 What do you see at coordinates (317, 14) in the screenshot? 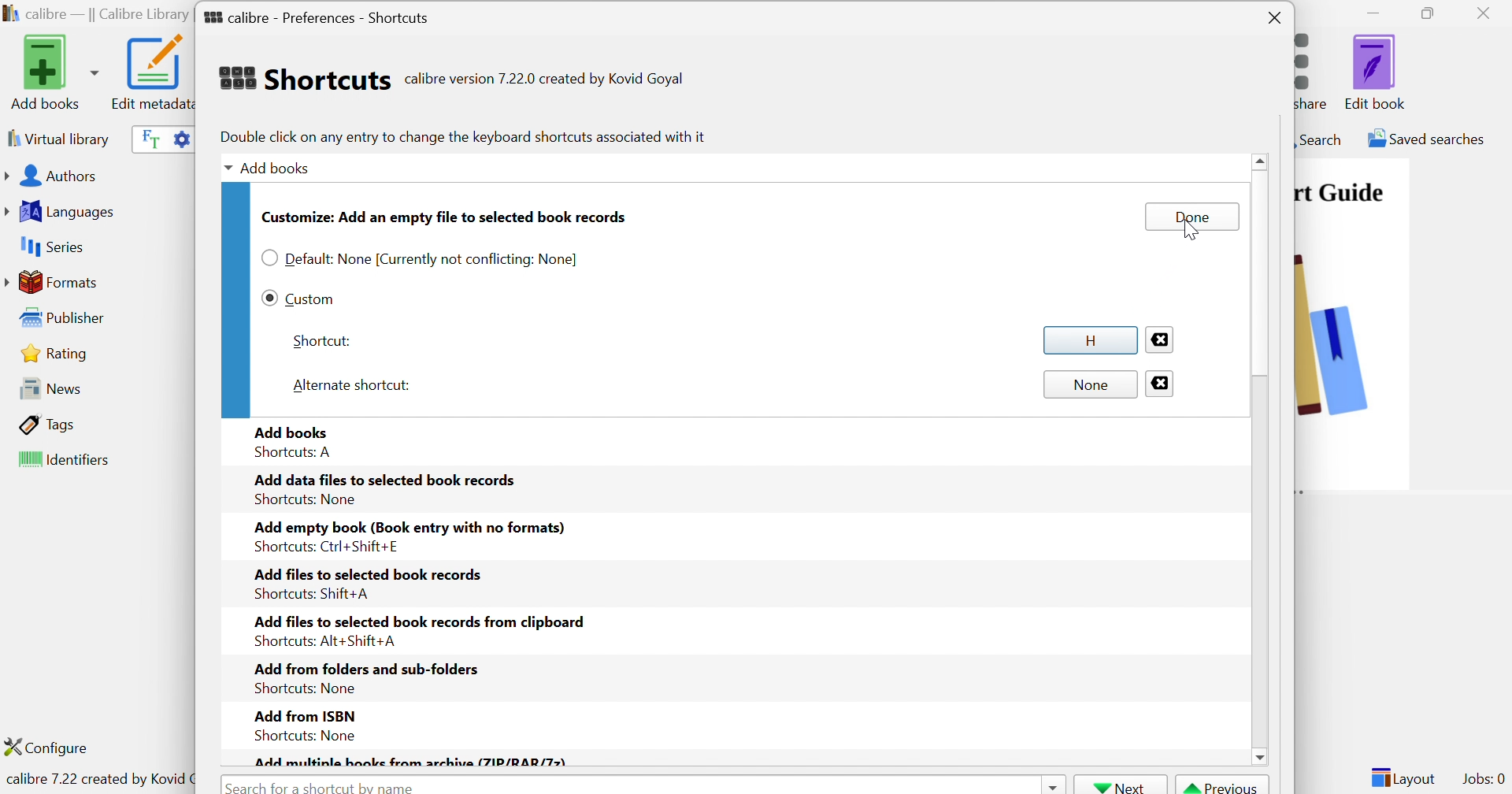
I see `calibre - Preferences - Shortcuts` at bounding box center [317, 14].